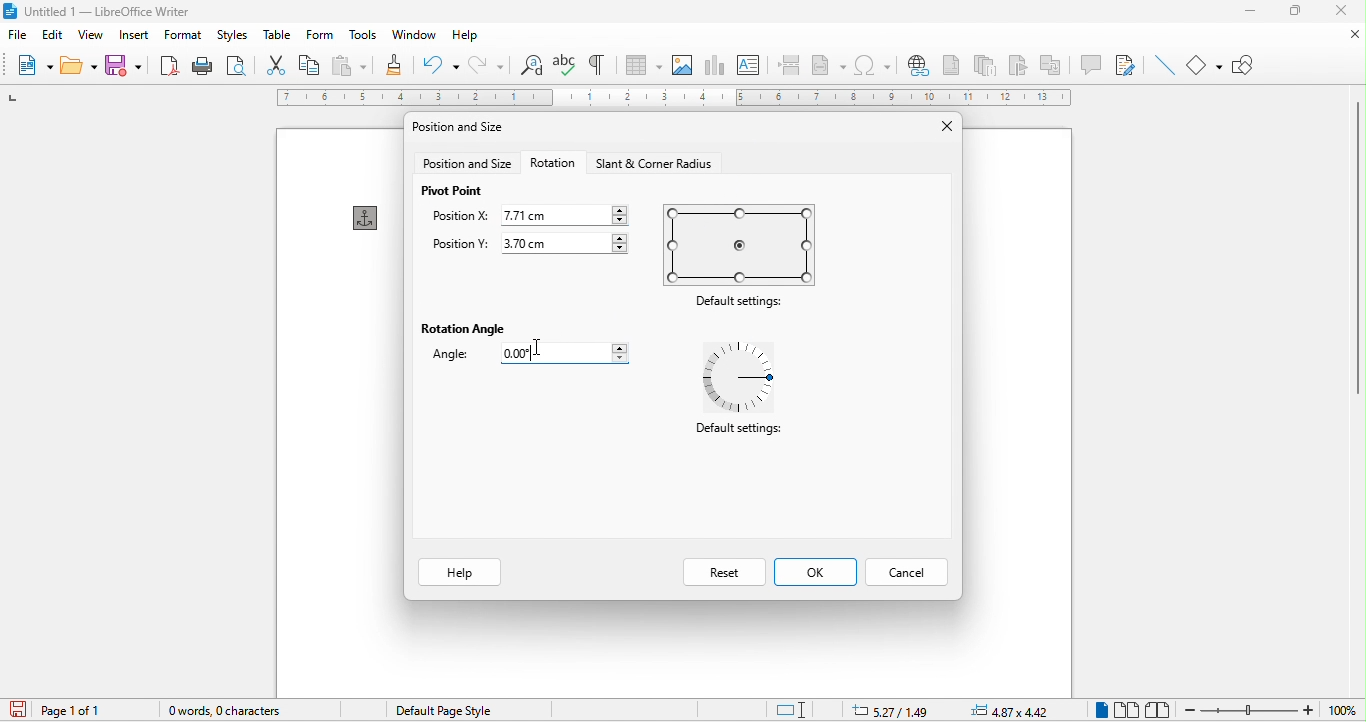 This screenshot has height=722, width=1366. I want to click on print preview, so click(236, 67).